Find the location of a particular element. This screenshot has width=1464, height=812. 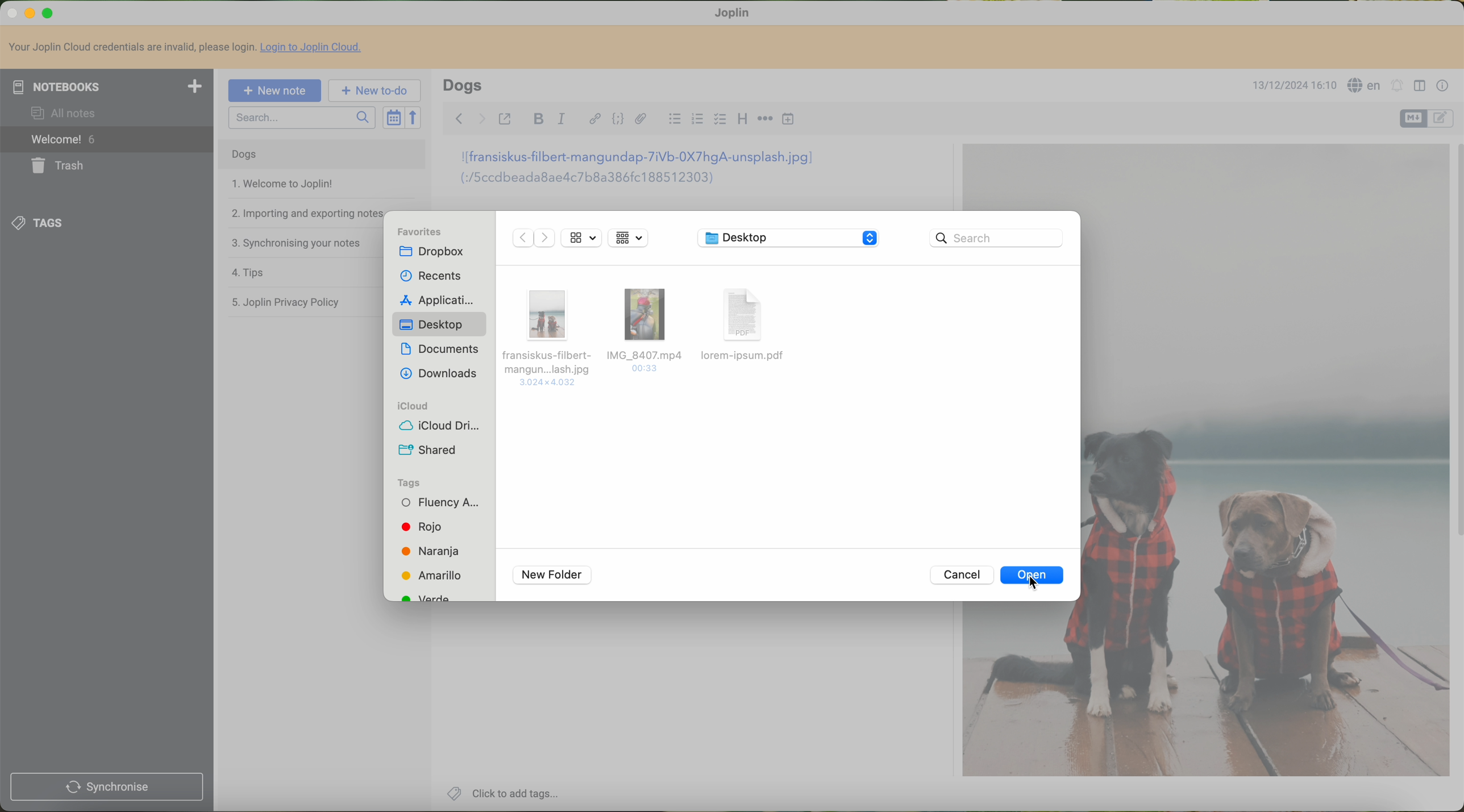

all notes is located at coordinates (65, 113).